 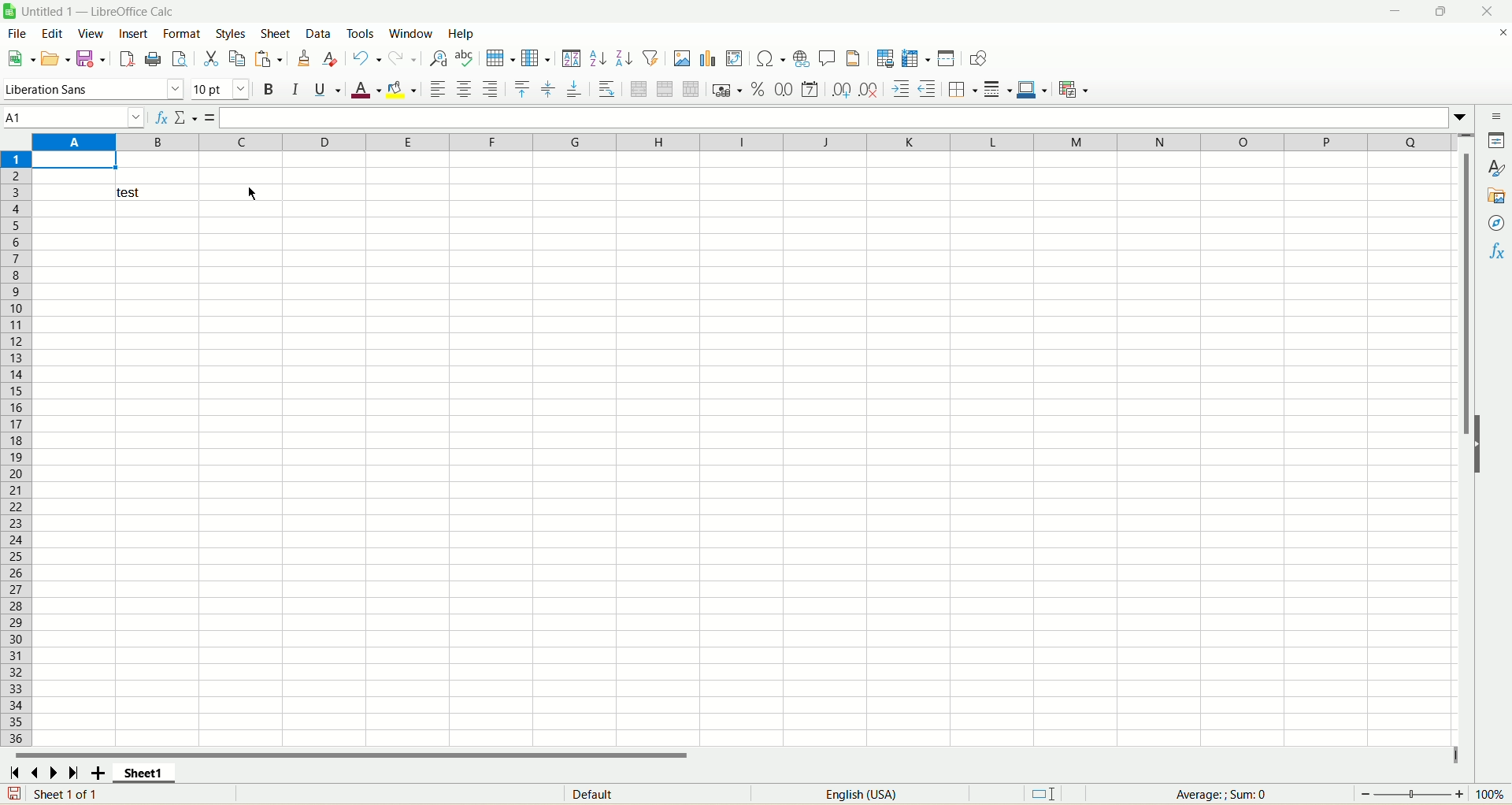 What do you see at coordinates (276, 33) in the screenshot?
I see `sheet` at bounding box center [276, 33].